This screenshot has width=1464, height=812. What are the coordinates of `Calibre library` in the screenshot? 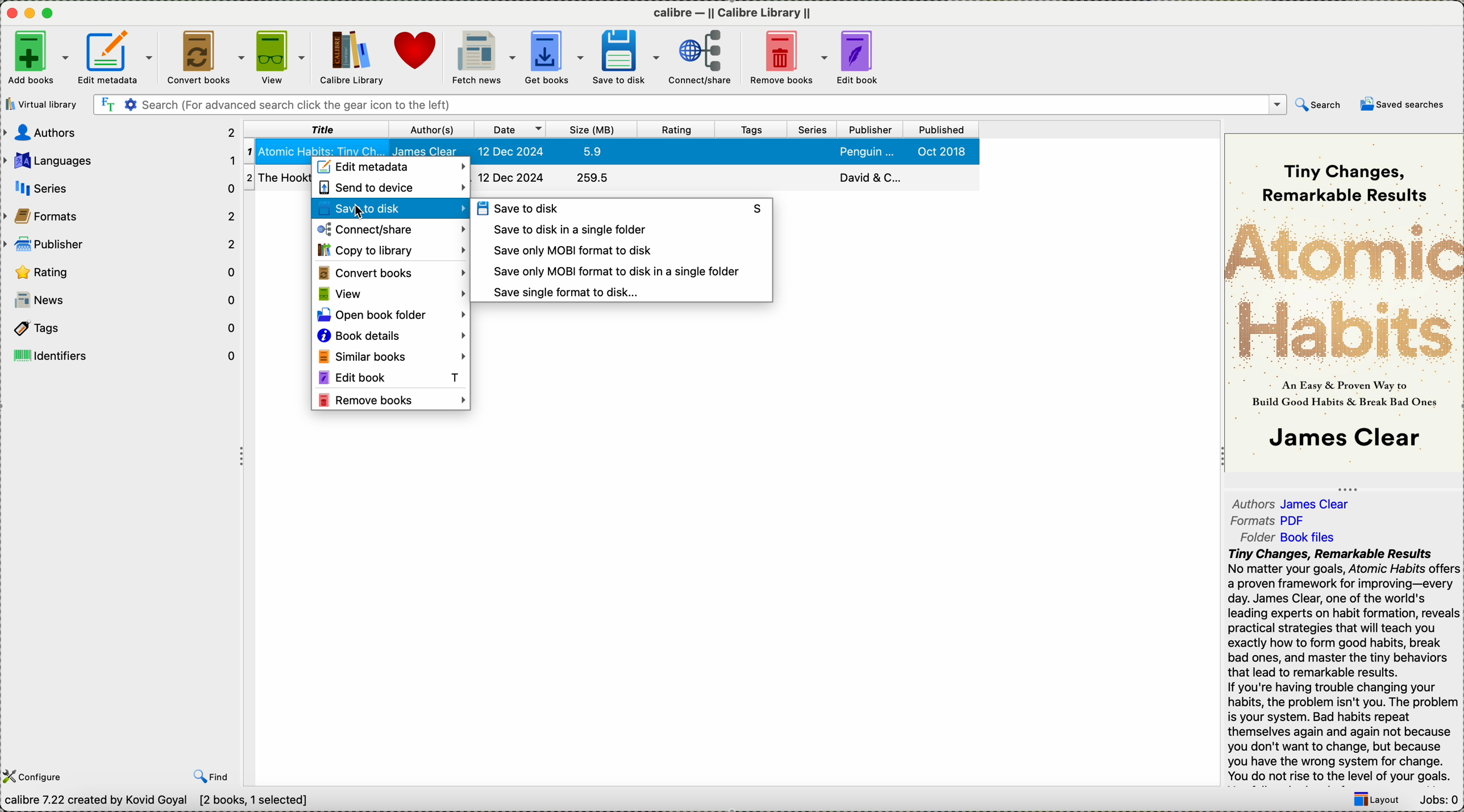 It's located at (350, 56).